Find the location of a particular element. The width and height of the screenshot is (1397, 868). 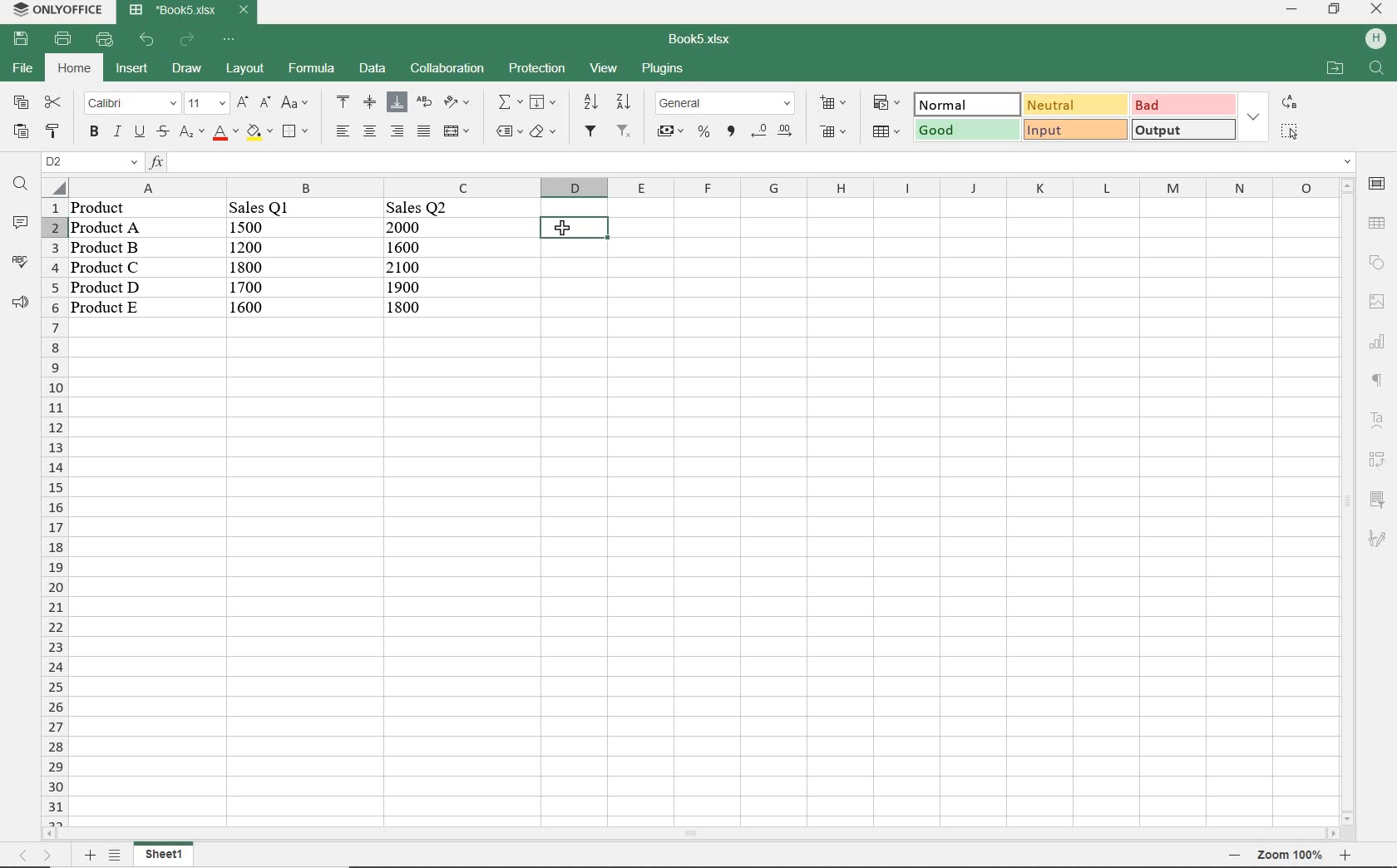

table is located at coordinates (1378, 222).